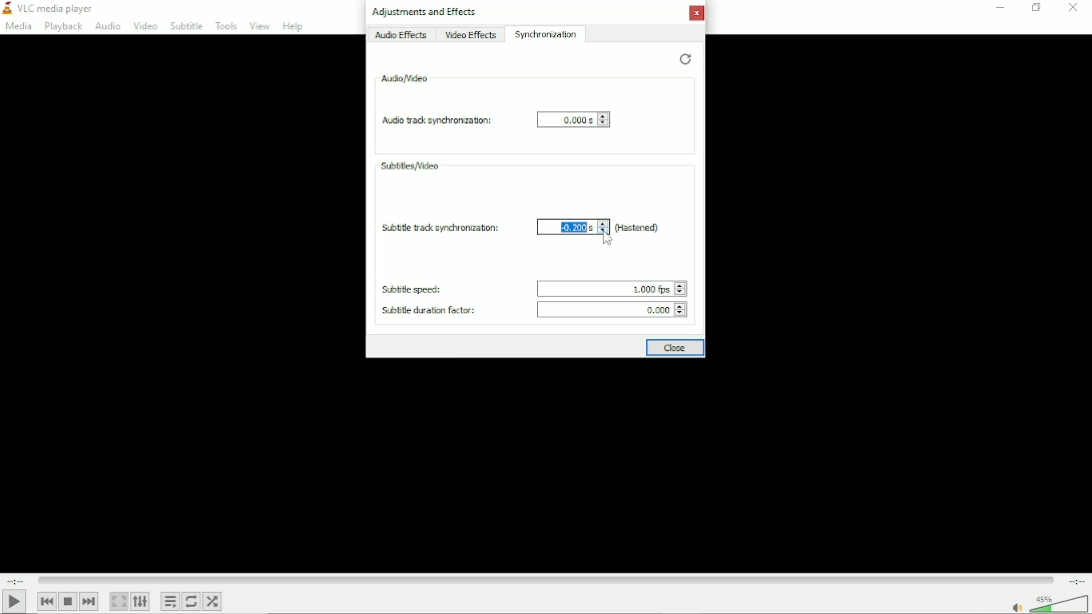 Image resolution: width=1092 pixels, height=614 pixels. What do you see at coordinates (1046, 603) in the screenshot?
I see `Volume` at bounding box center [1046, 603].